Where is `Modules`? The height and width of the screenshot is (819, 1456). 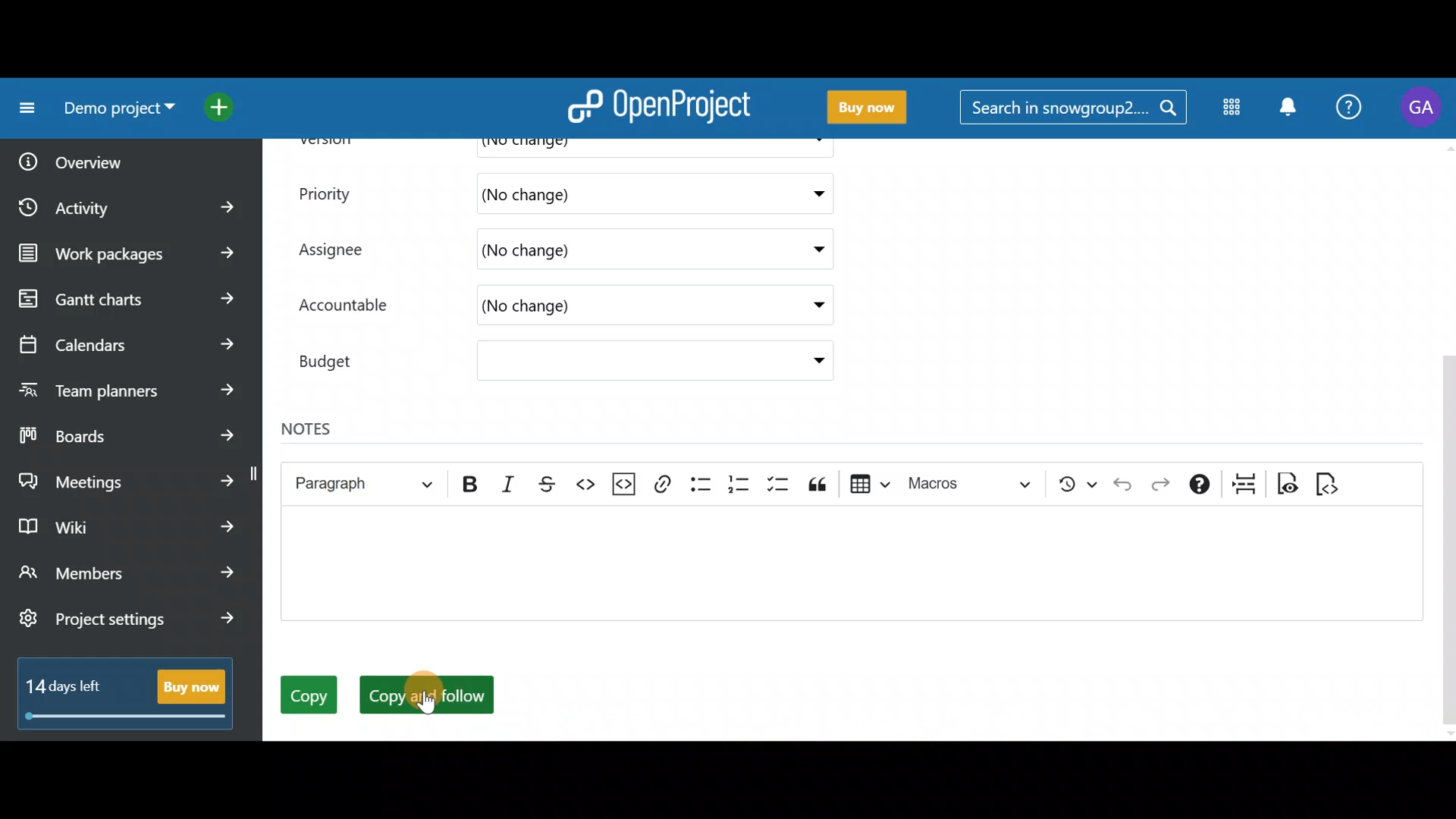 Modules is located at coordinates (1227, 110).